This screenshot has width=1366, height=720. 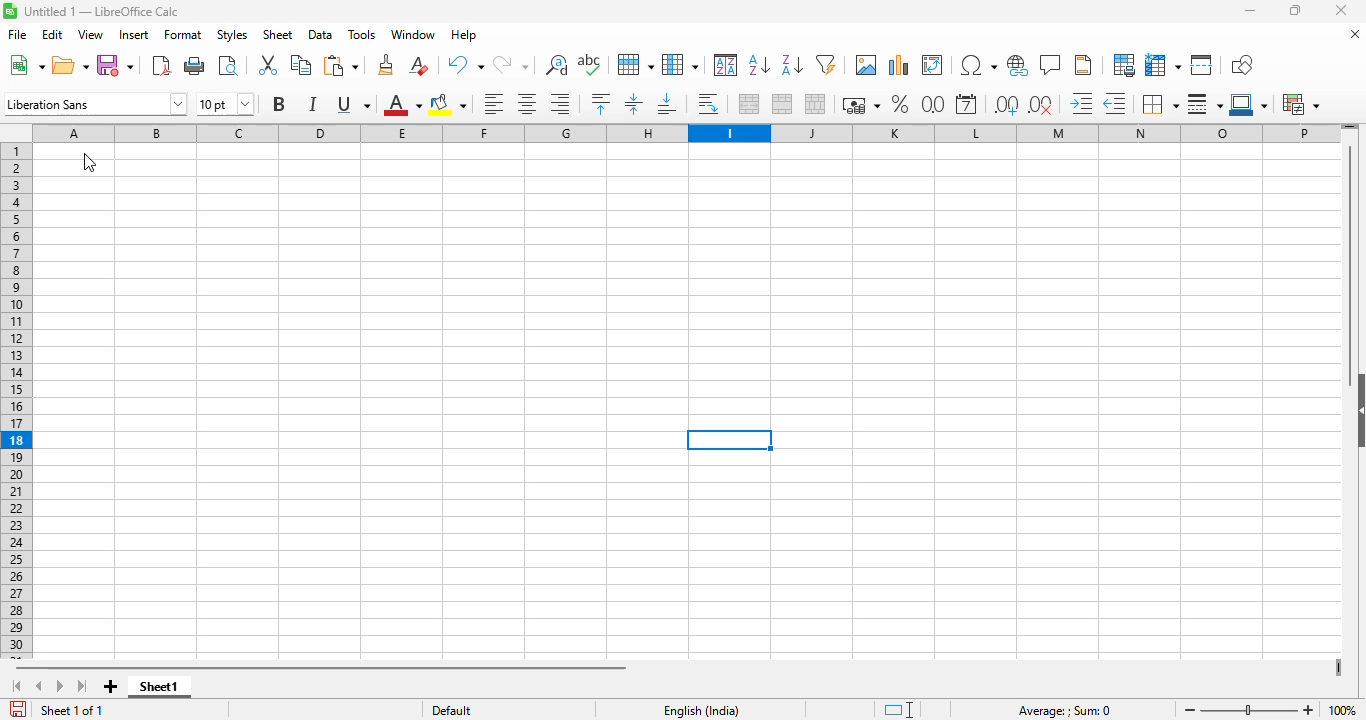 What do you see at coordinates (95, 103) in the screenshot?
I see `font name` at bounding box center [95, 103].